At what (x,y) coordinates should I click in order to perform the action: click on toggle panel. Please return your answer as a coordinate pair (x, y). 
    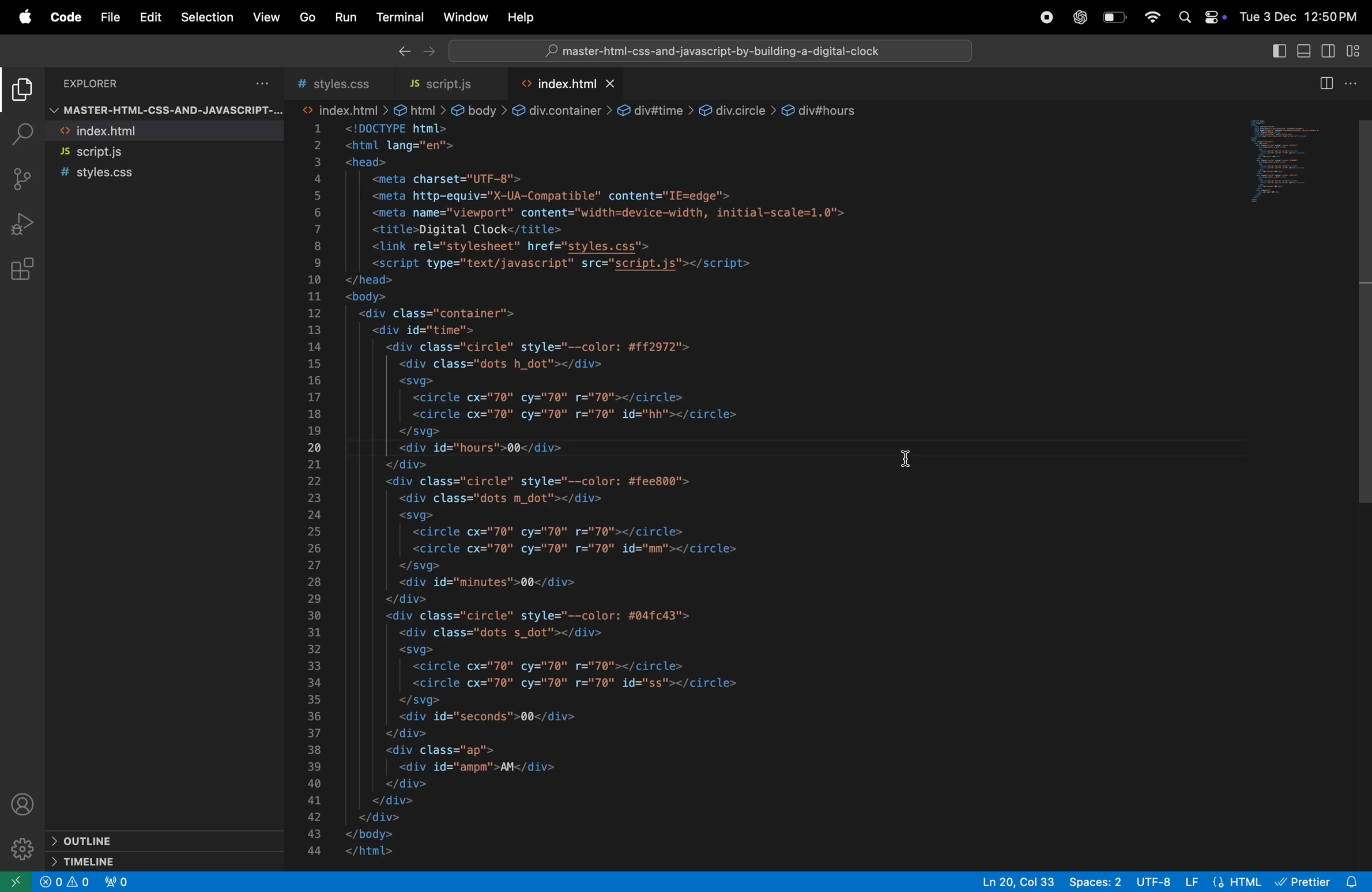
    Looking at the image, I should click on (1276, 50).